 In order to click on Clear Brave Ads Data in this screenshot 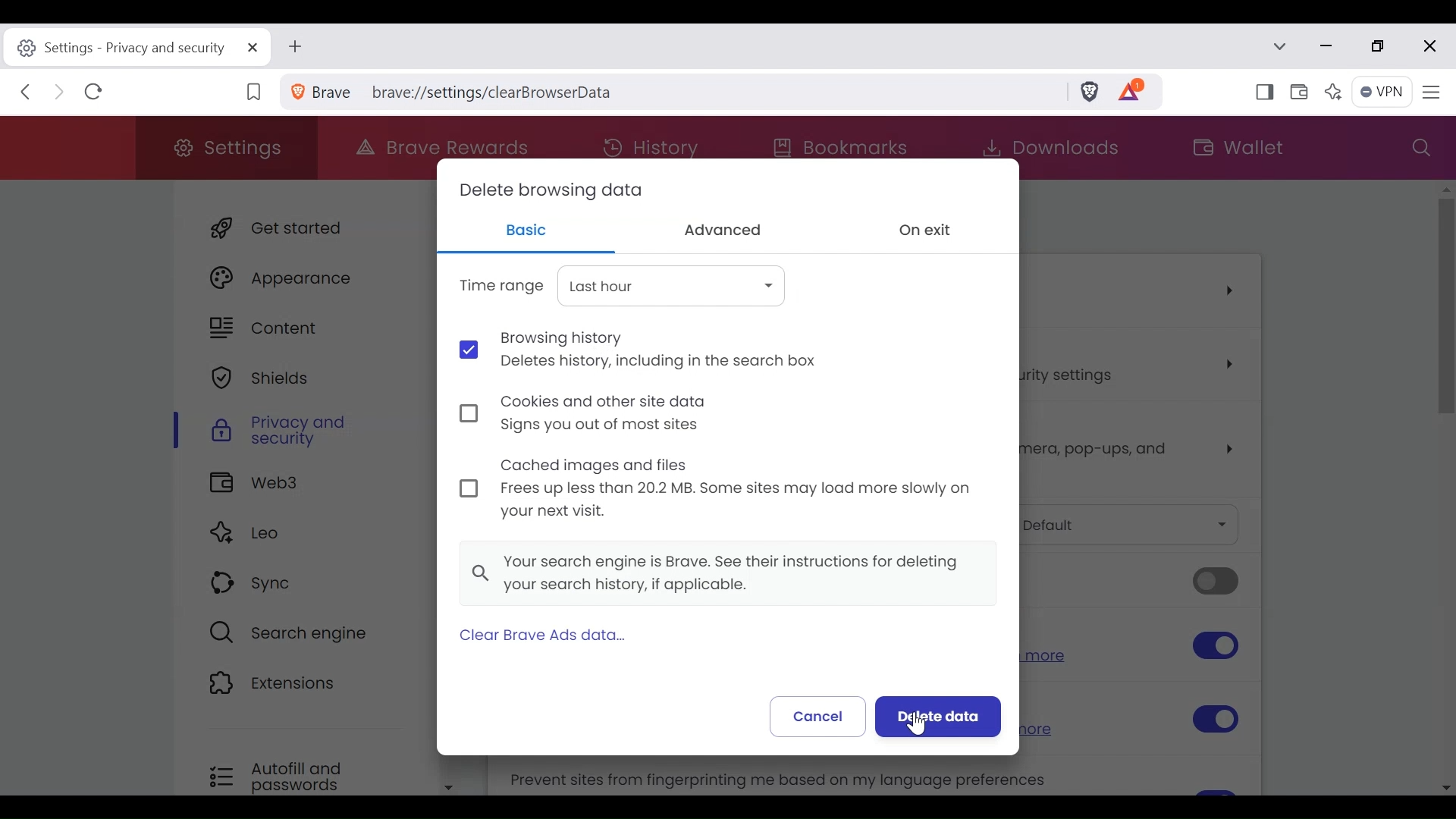, I will do `click(557, 636)`.